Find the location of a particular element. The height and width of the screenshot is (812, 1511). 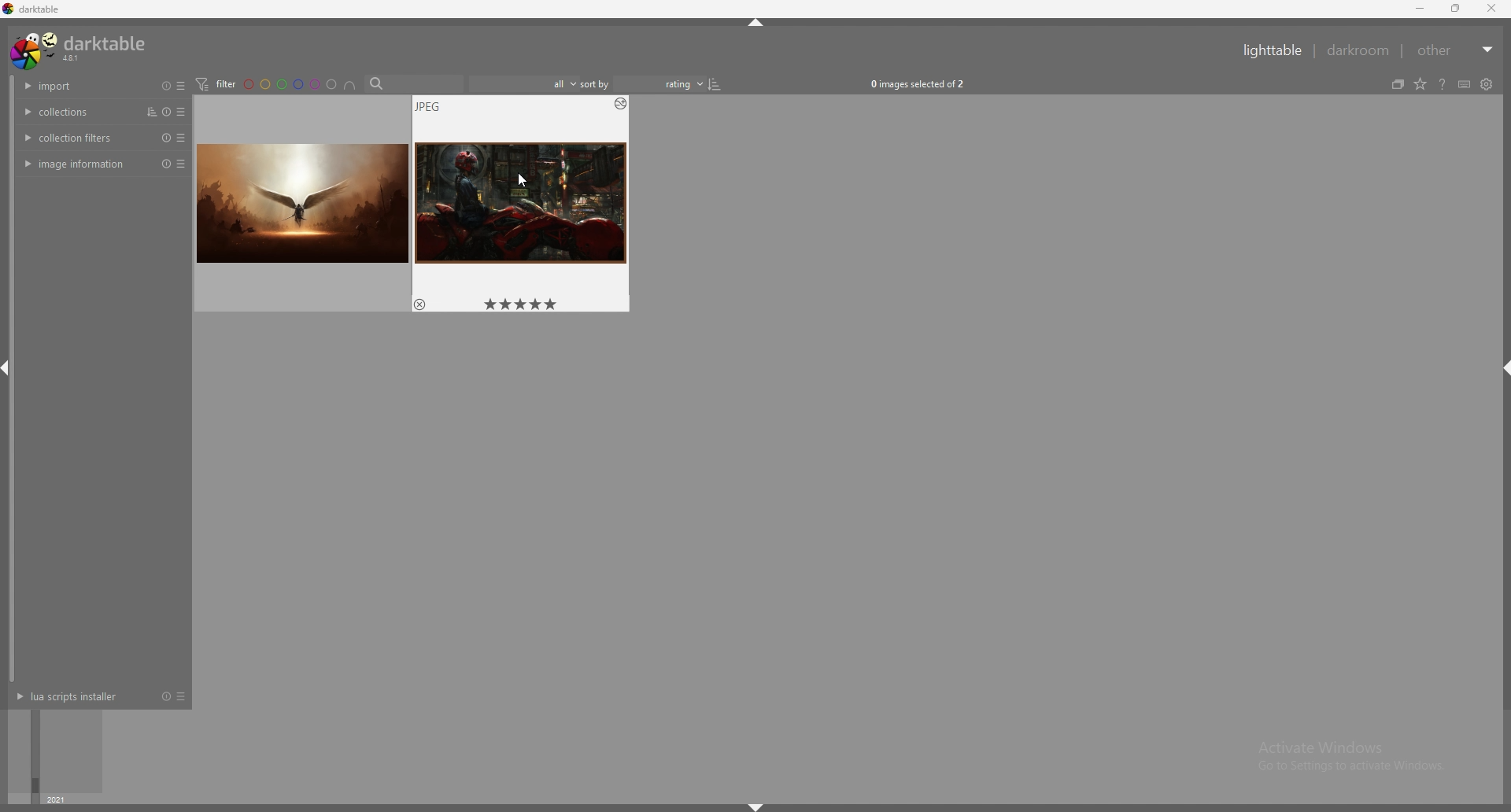

lighttable is located at coordinates (1272, 50).